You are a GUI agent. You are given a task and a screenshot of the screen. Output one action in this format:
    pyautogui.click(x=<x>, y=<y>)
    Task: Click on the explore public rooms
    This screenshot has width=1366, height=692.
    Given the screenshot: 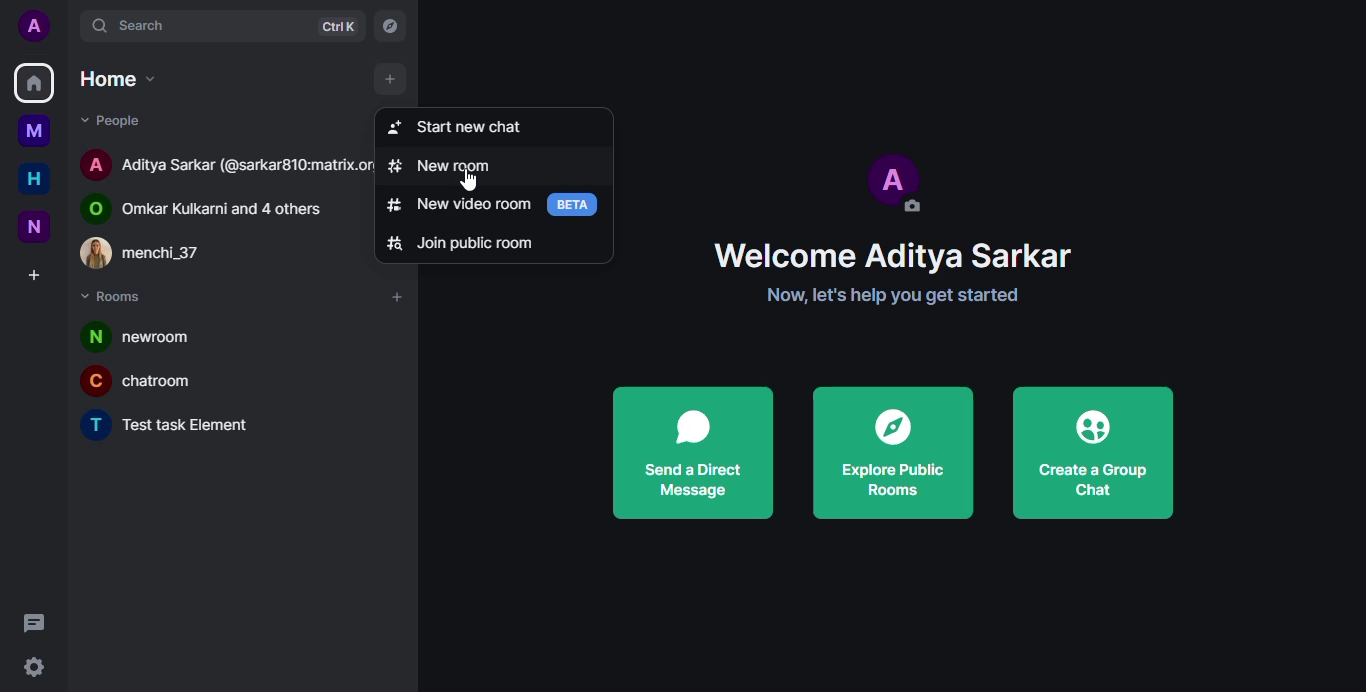 What is the action you would take?
    pyautogui.click(x=893, y=454)
    